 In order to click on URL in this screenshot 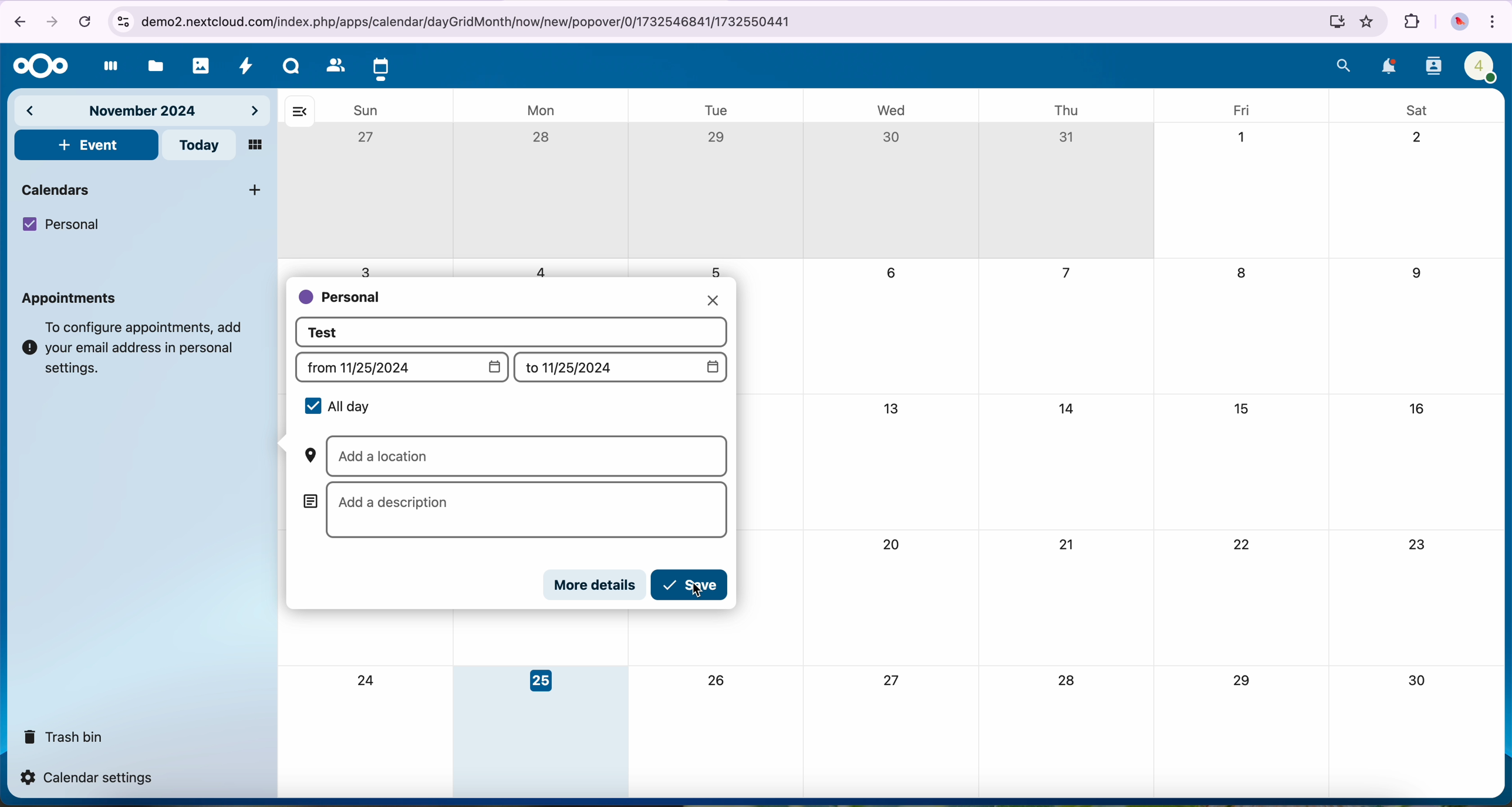, I will do `click(471, 21)`.